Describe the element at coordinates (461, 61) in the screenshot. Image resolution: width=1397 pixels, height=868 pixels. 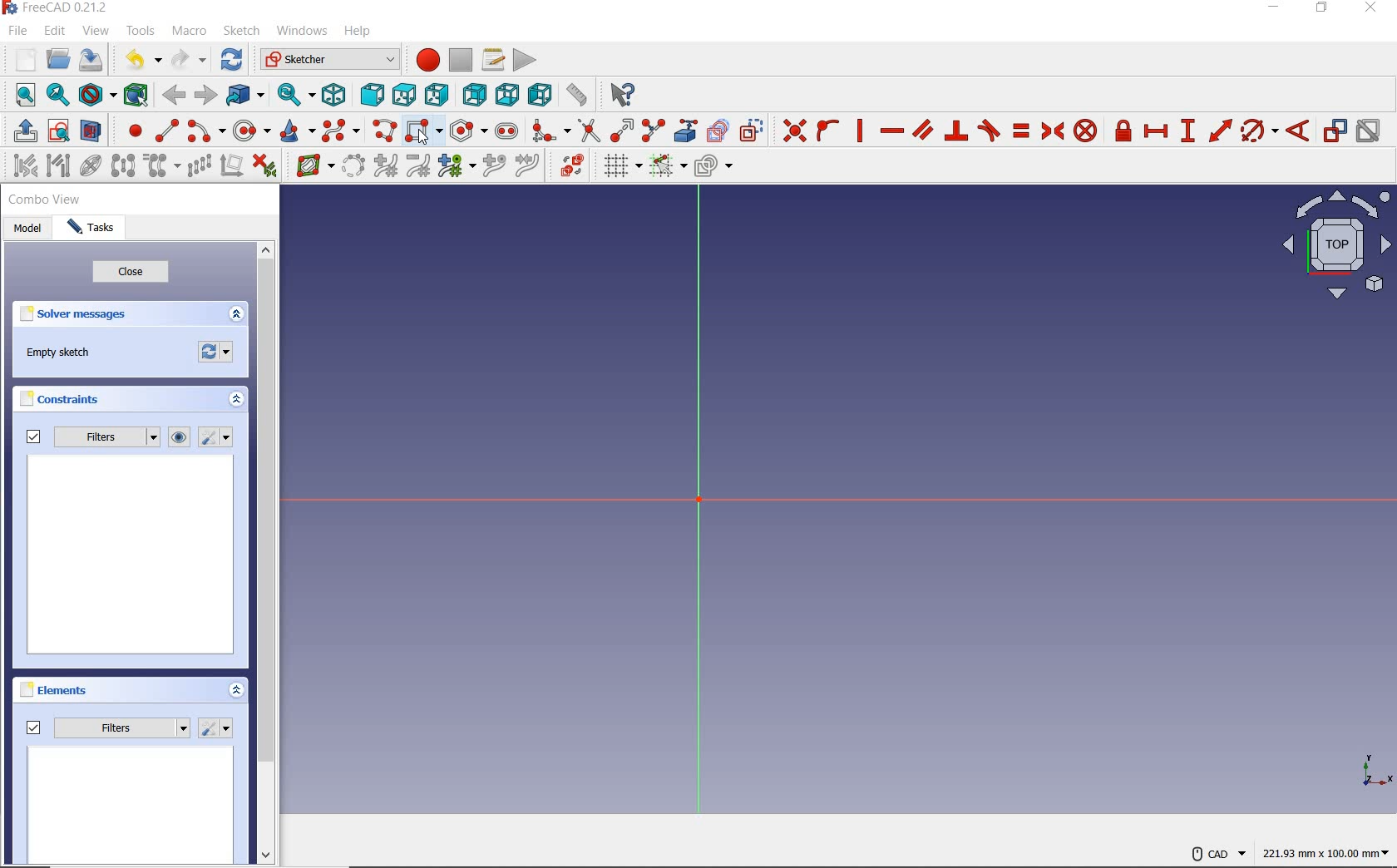
I see `stop macro recording` at that location.